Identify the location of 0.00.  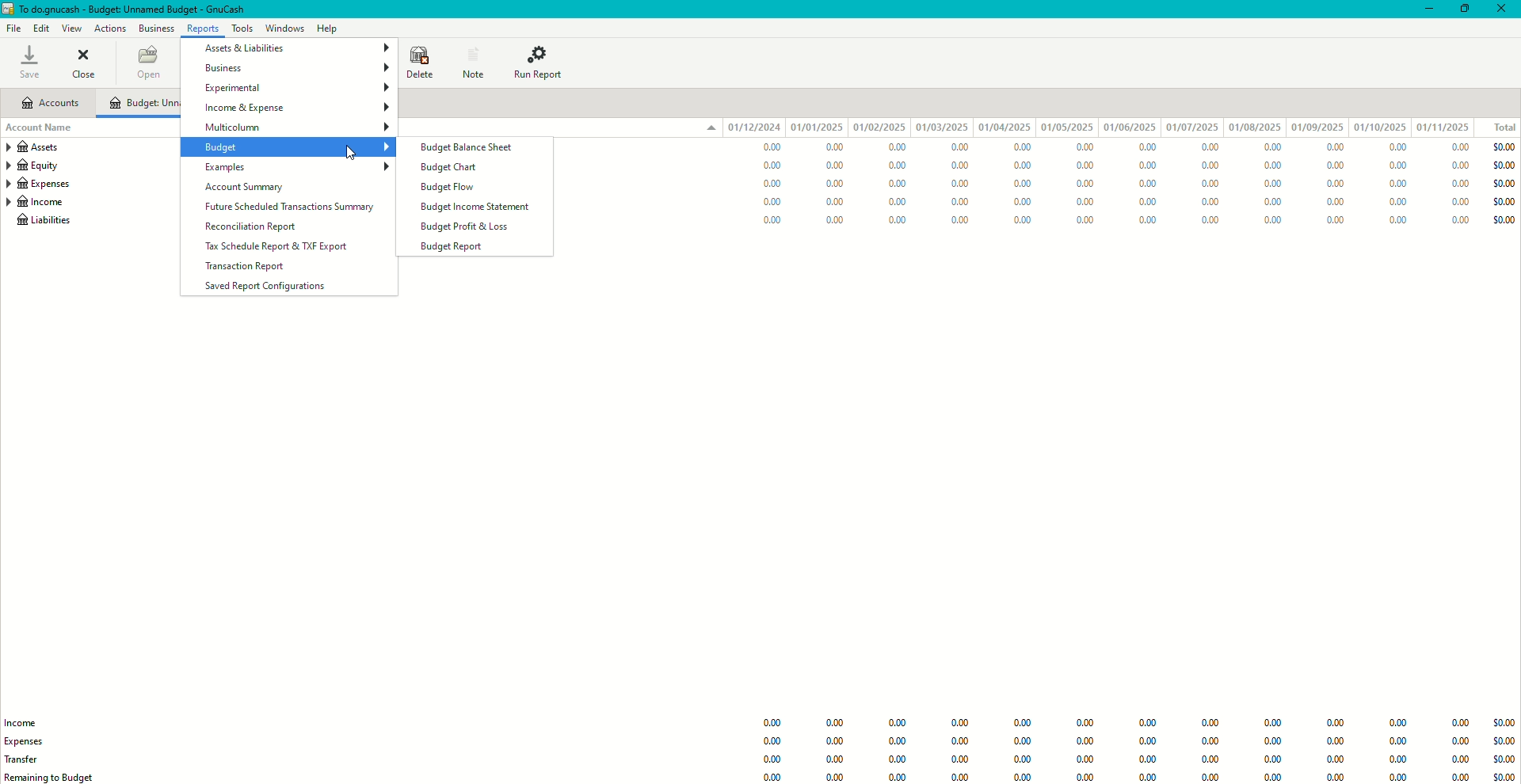
(836, 182).